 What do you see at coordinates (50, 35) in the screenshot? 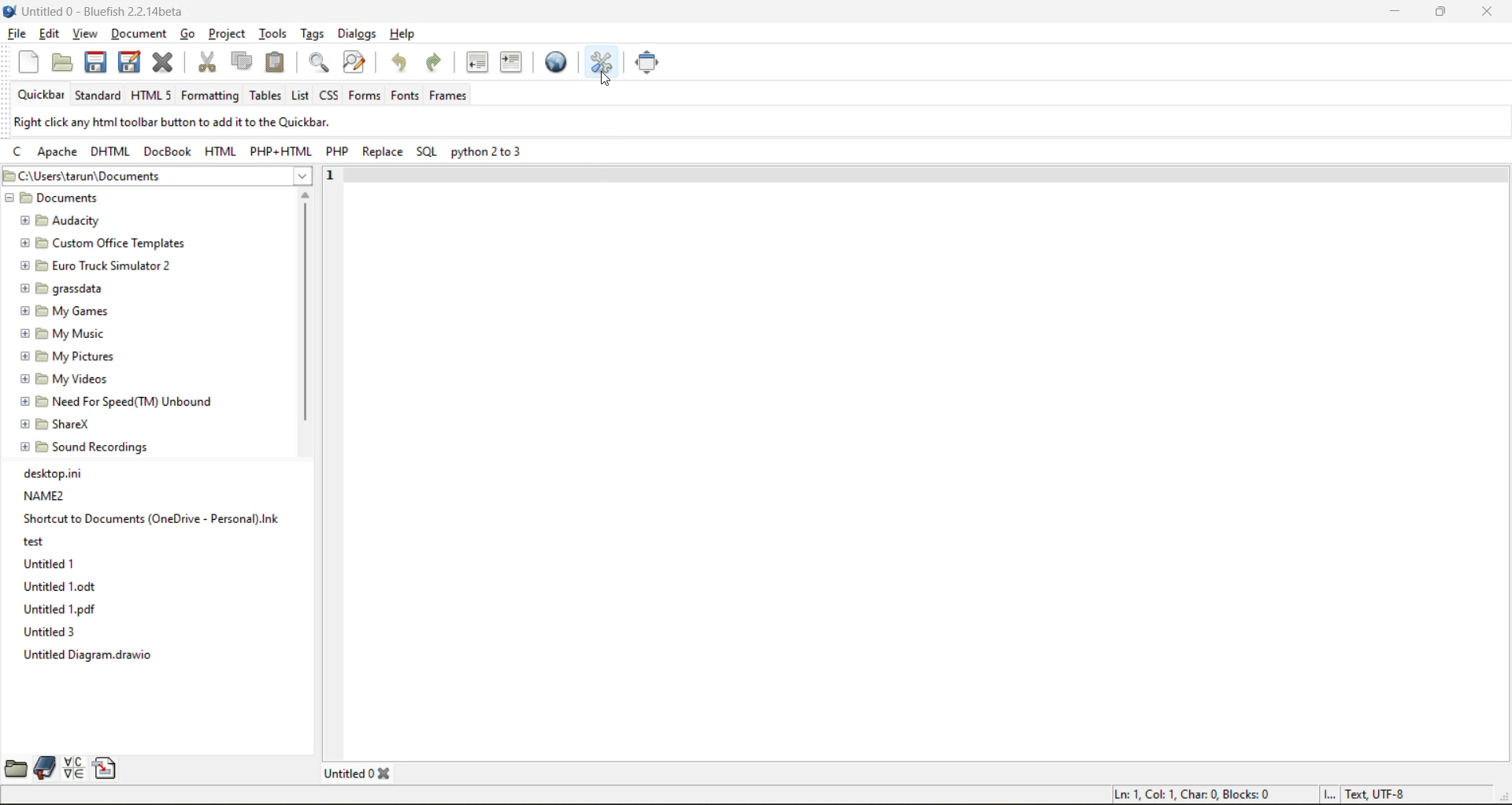
I see `edit` at bounding box center [50, 35].